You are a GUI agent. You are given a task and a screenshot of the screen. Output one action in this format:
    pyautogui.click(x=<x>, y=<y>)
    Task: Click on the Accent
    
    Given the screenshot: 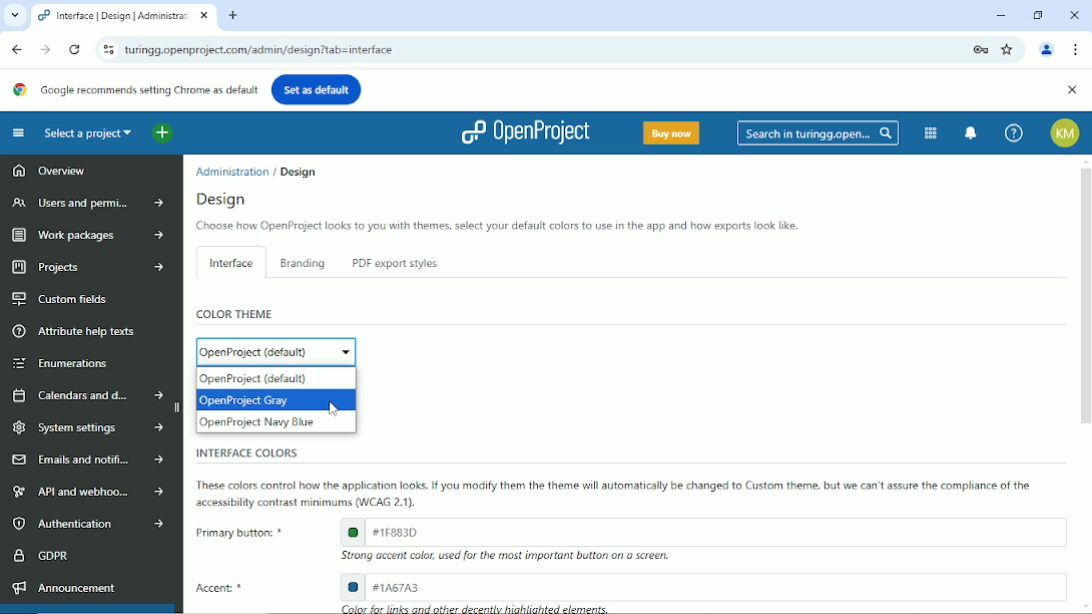 What is the action you would take?
    pyautogui.click(x=225, y=589)
    